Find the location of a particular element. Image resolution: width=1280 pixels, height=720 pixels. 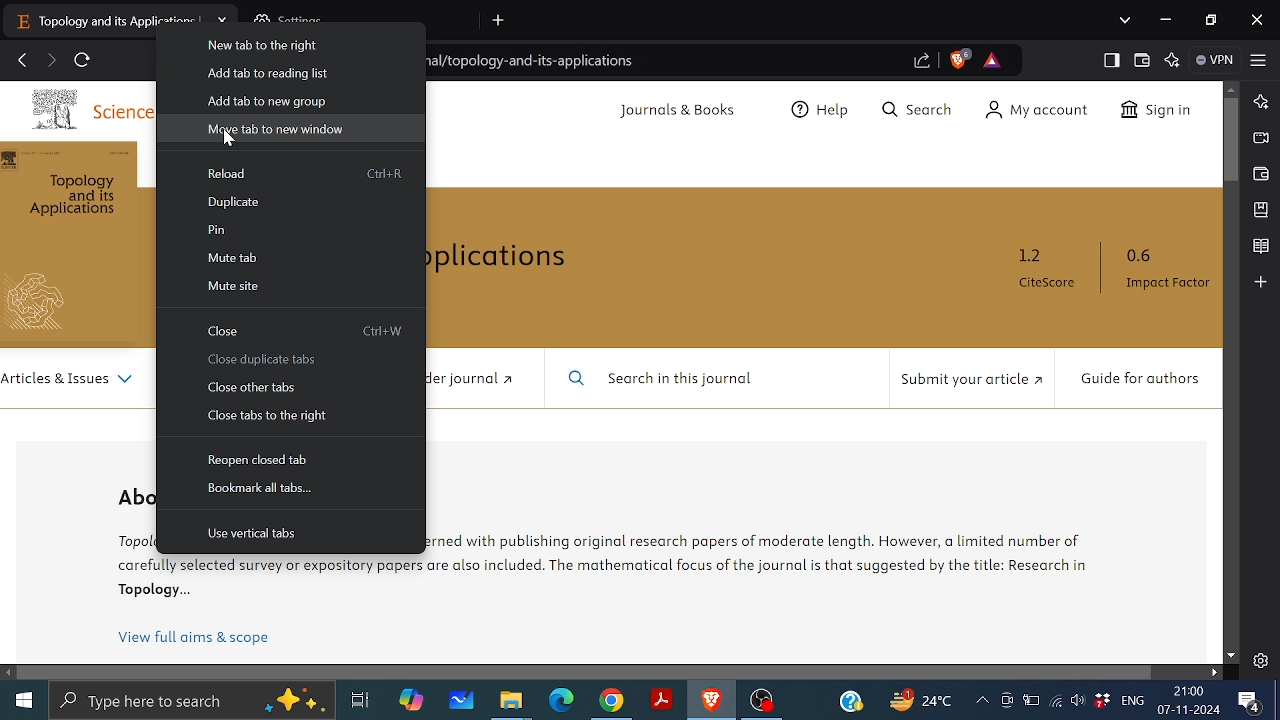

Use vertical tabs is located at coordinates (251, 534).